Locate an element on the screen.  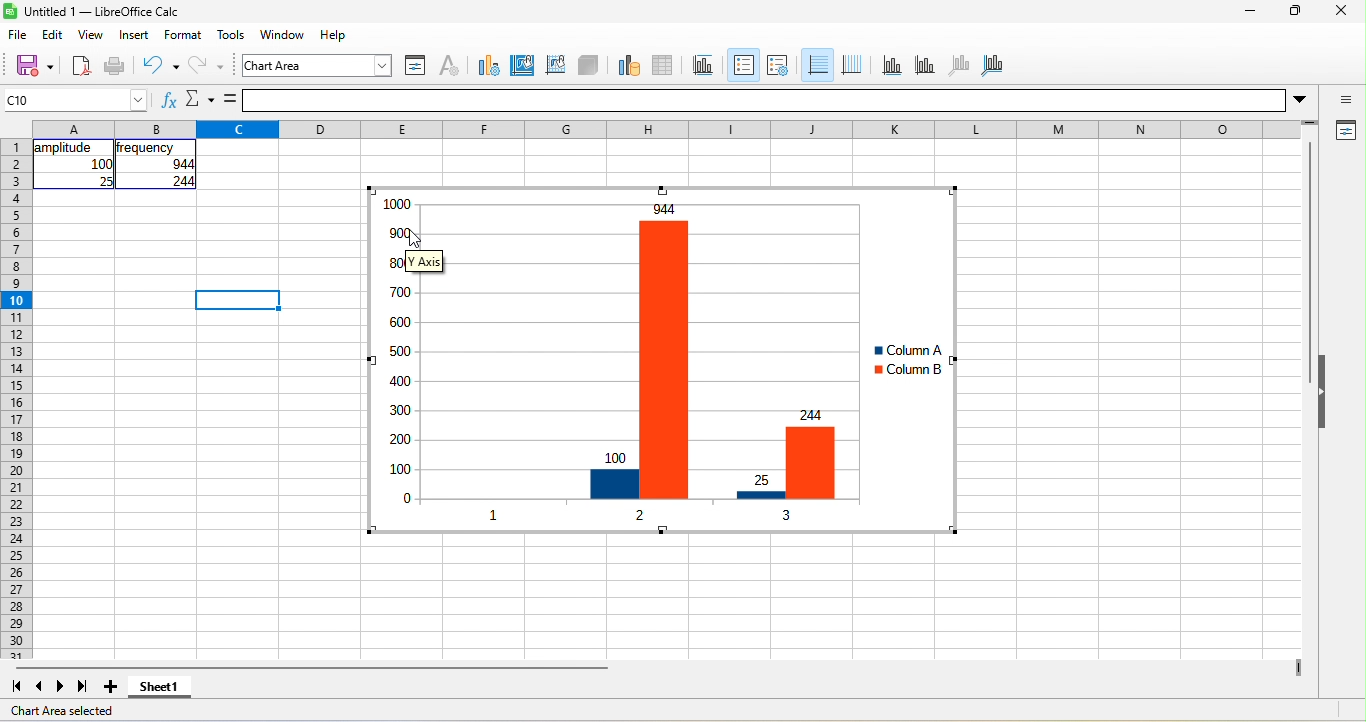
horizontal scroll bar is located at coordinates (311, 668).